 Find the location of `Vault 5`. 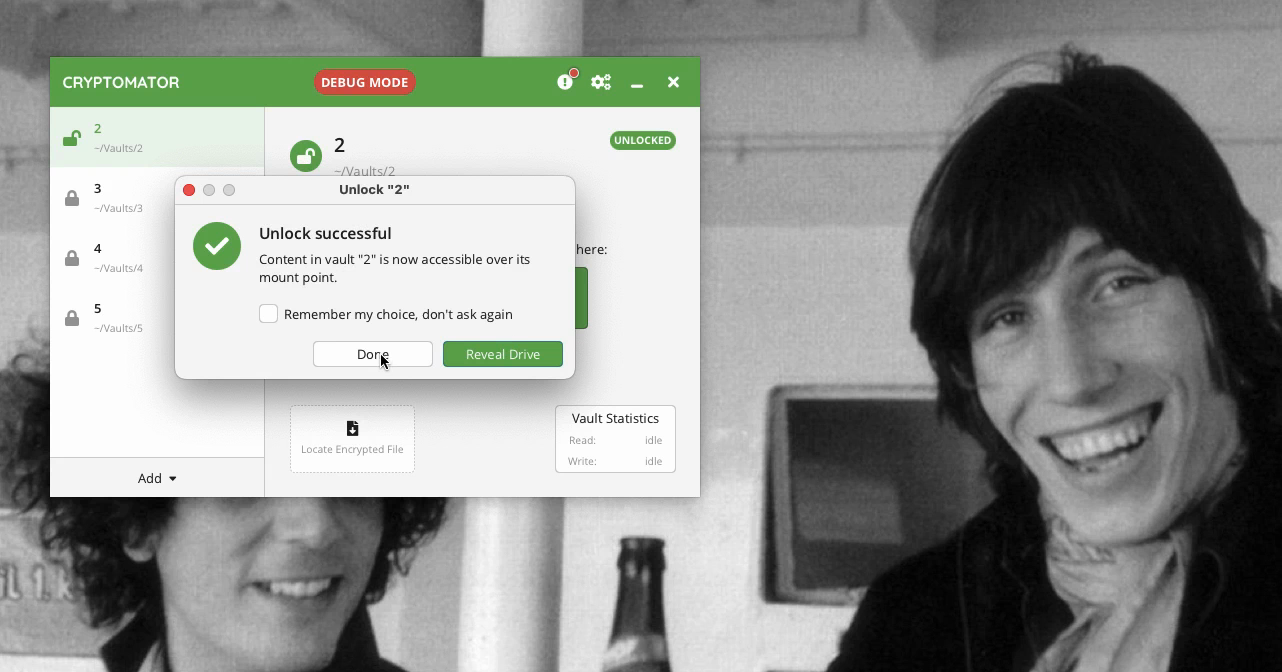

Vault 5 is located at coordinates (104, 319).